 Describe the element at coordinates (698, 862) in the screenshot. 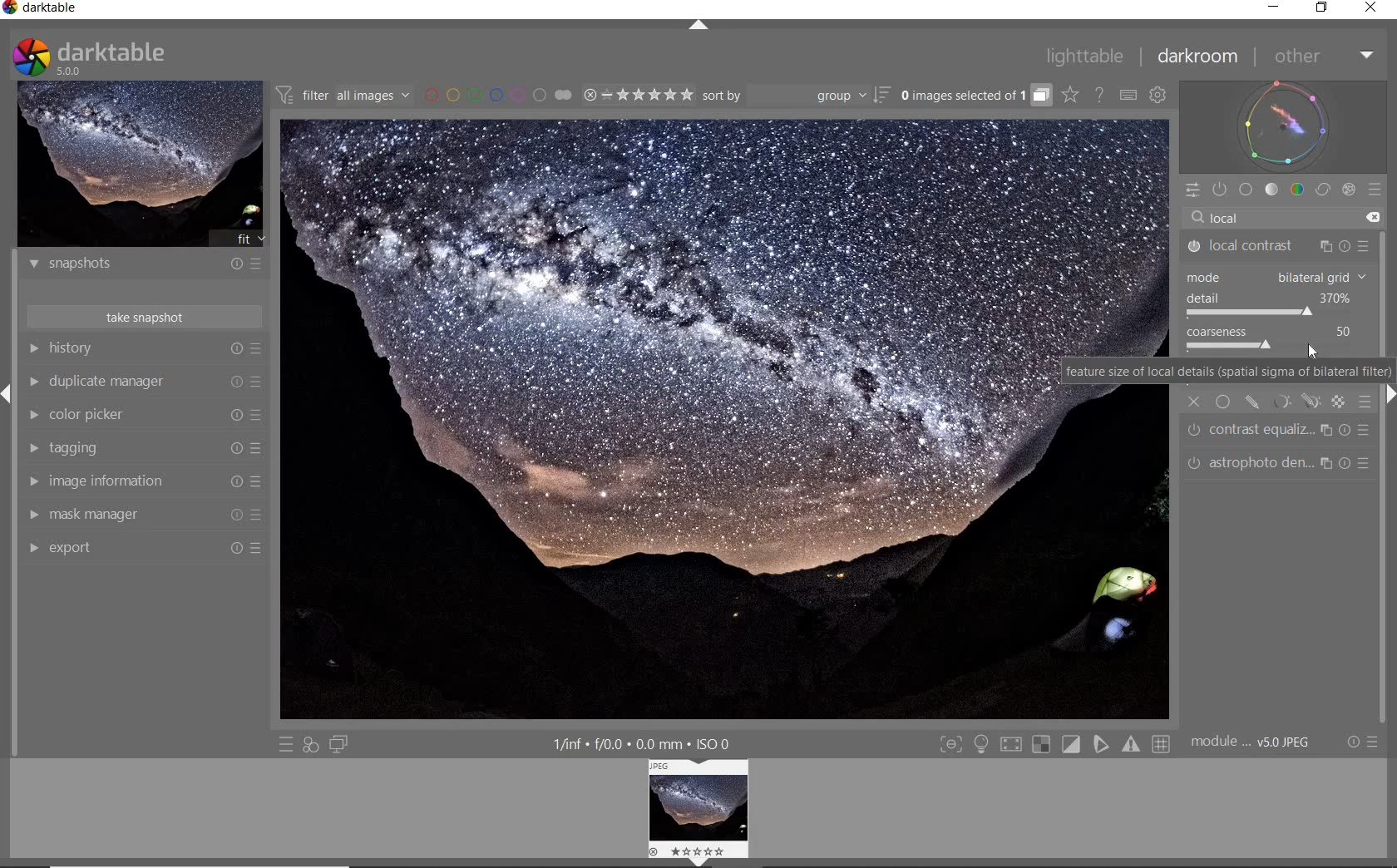

I see `hide bottom menu • shift +ctrl+b` at that location.